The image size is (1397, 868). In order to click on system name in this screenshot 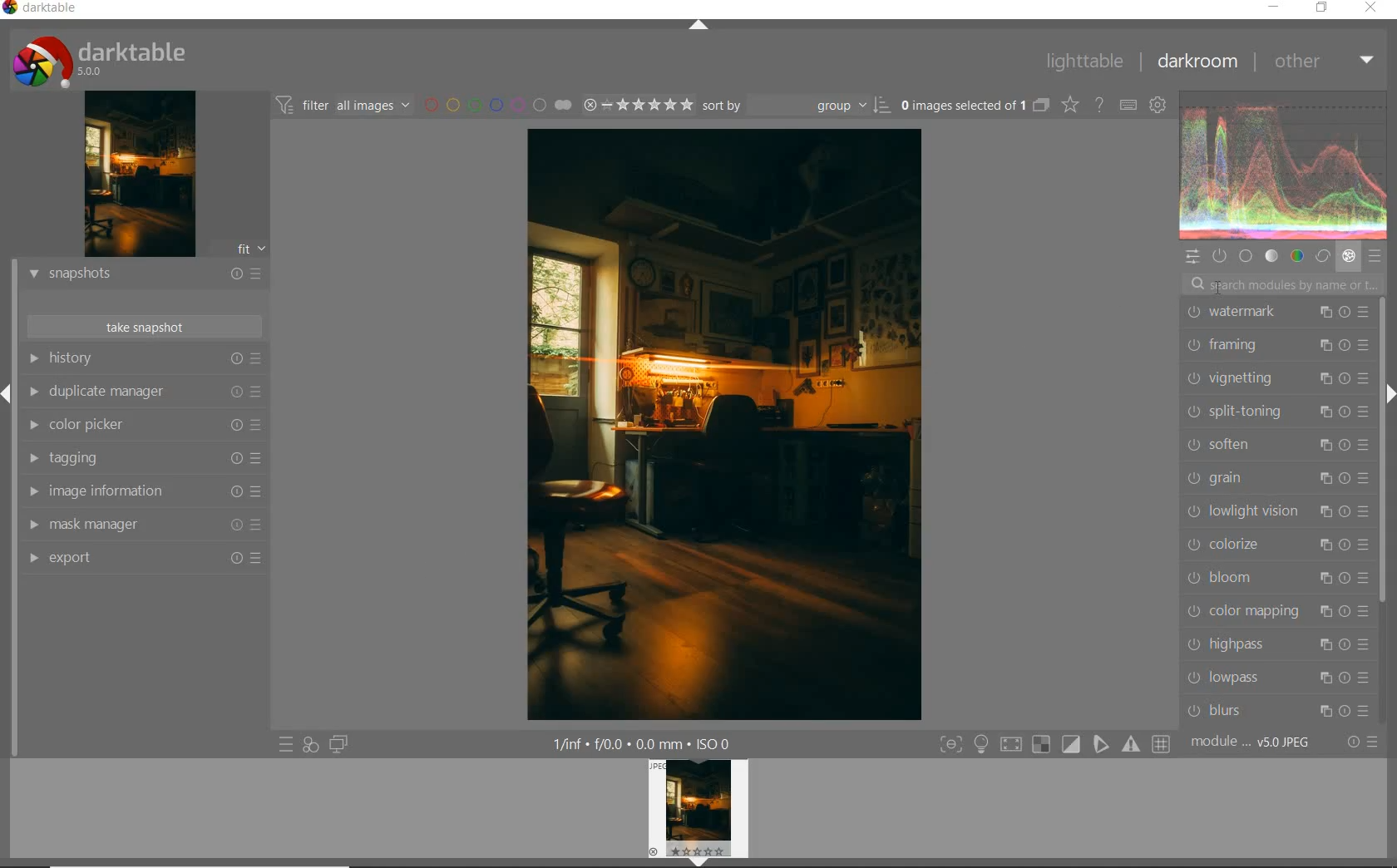, I will do `click(43, 9)`.